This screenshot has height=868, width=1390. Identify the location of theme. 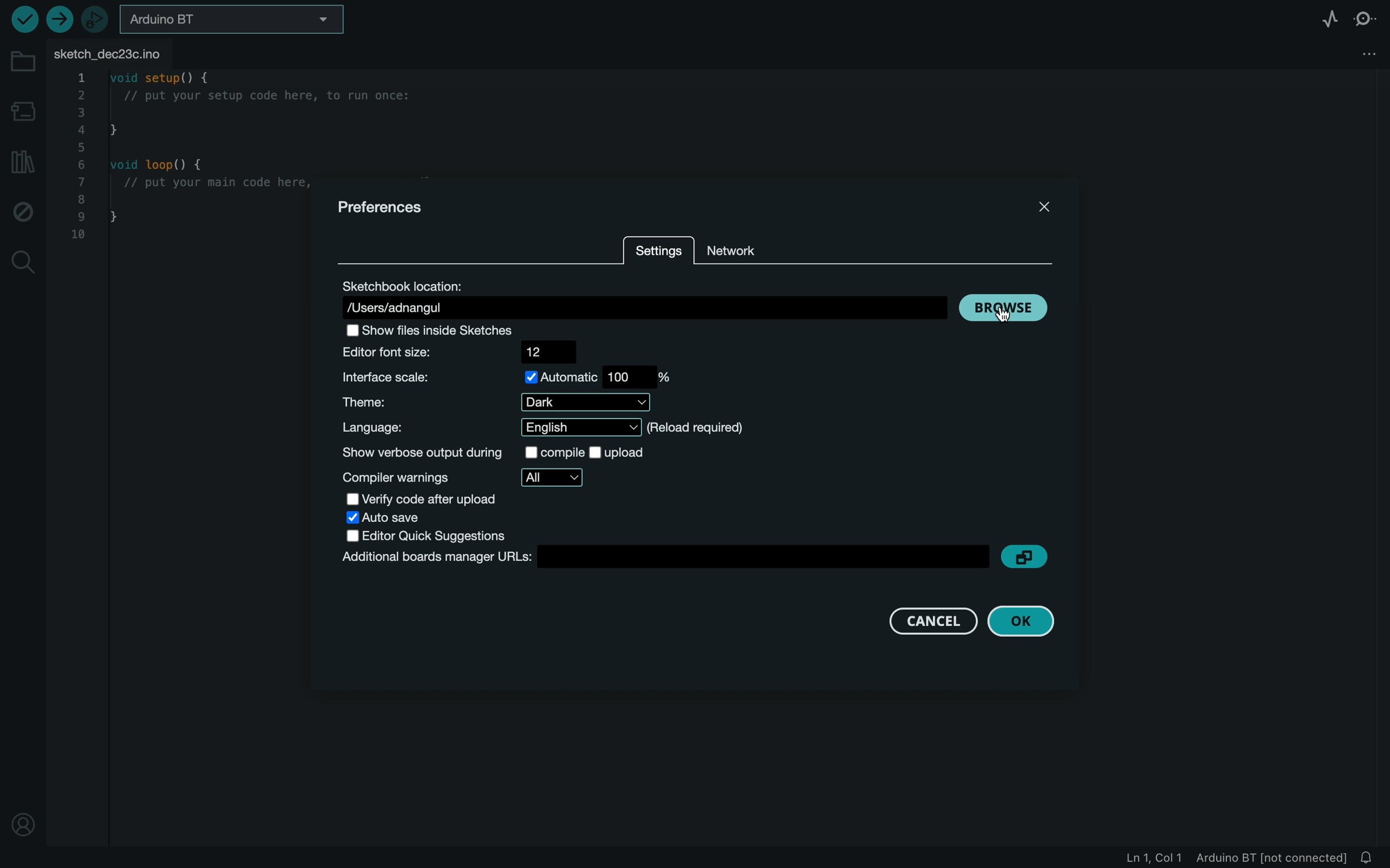
(492, 402).